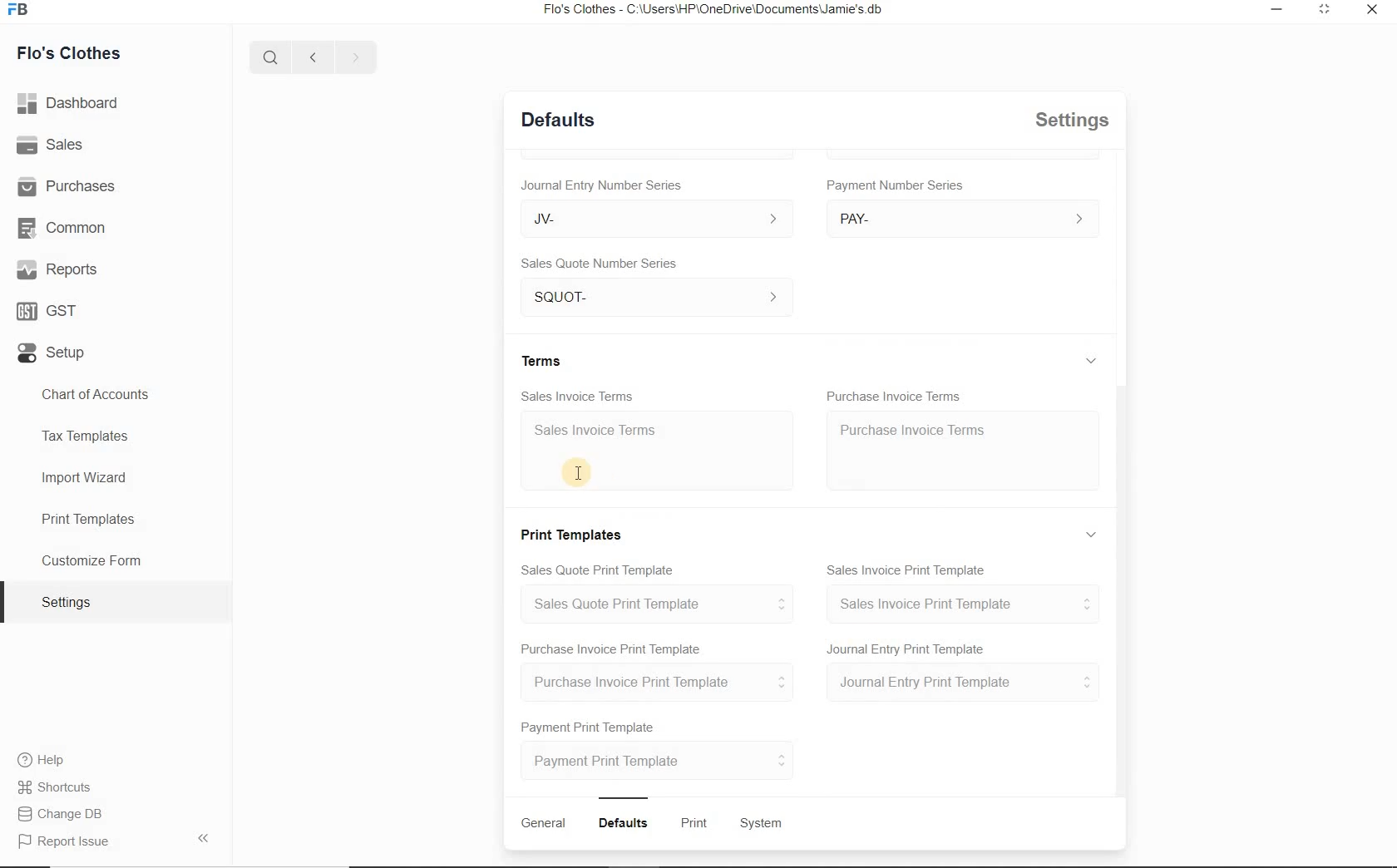 The image size is (1397, 868). Describe the element at coordinates (905, 648) in the screenshot. I see `Journal Entry Print Template` at that location.